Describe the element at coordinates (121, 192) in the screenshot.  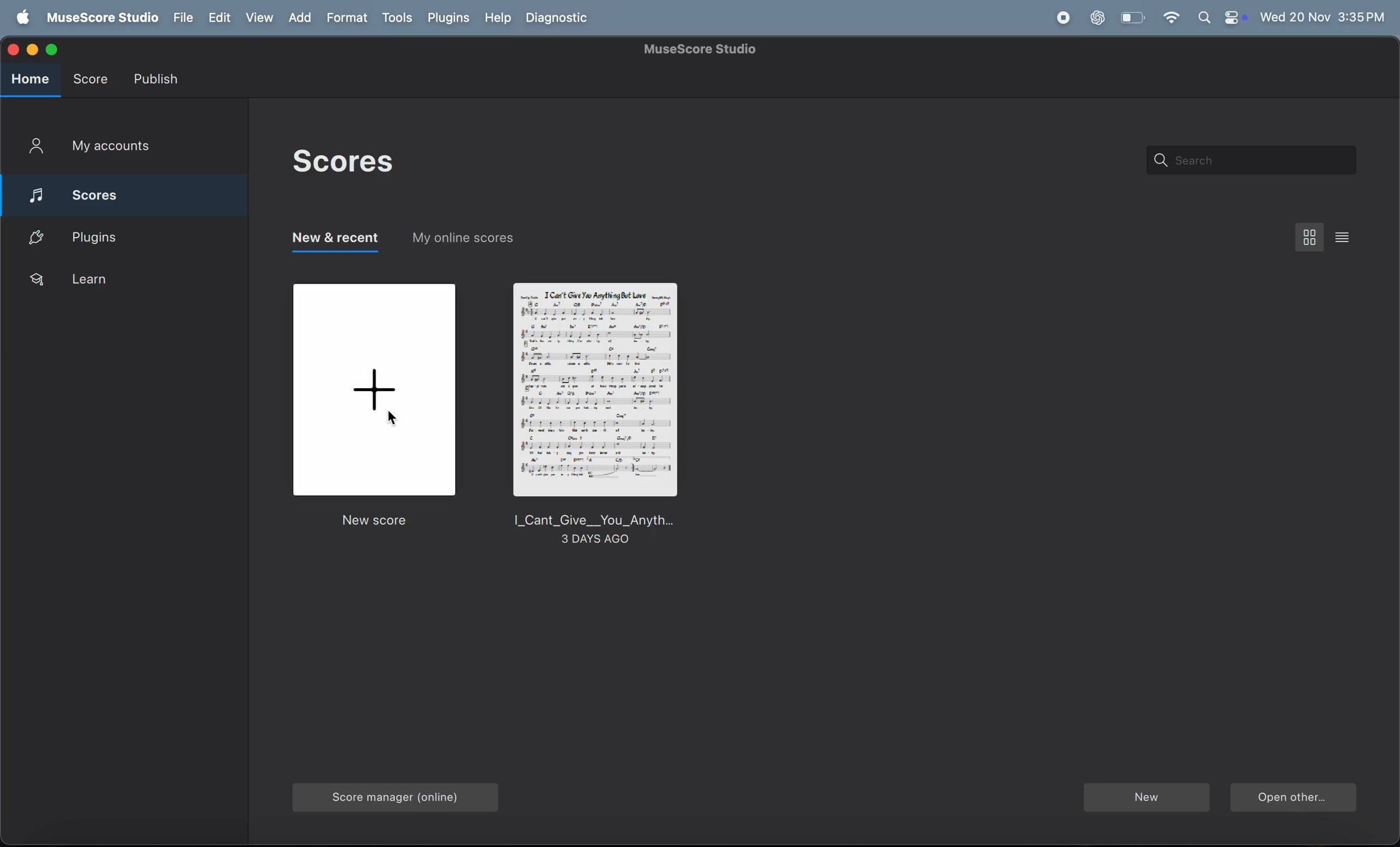
I see `score` at that location.